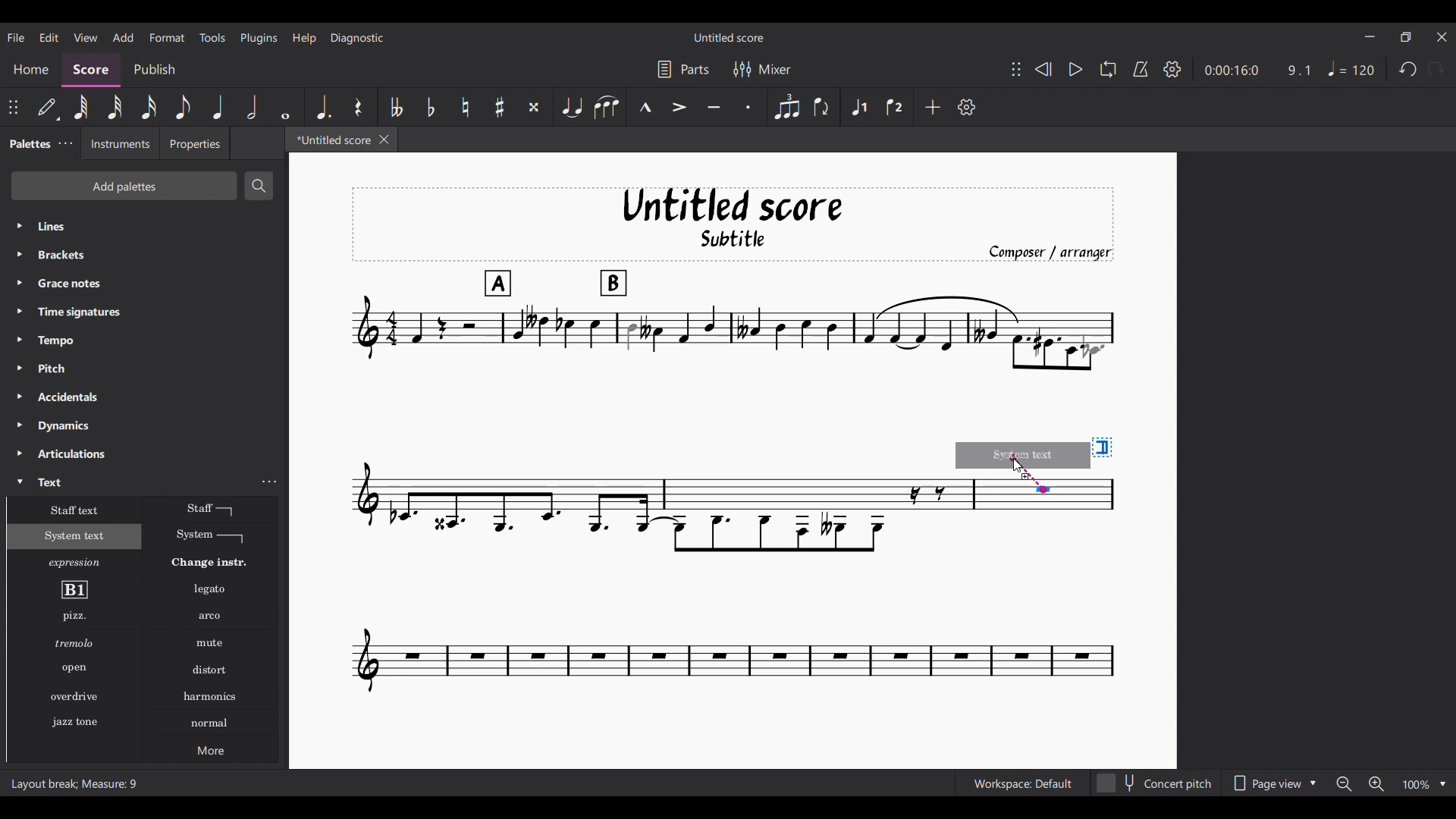 The height and width of the screenshot is (819, 1456). I want to click on Minimize, so click(1370, 36).